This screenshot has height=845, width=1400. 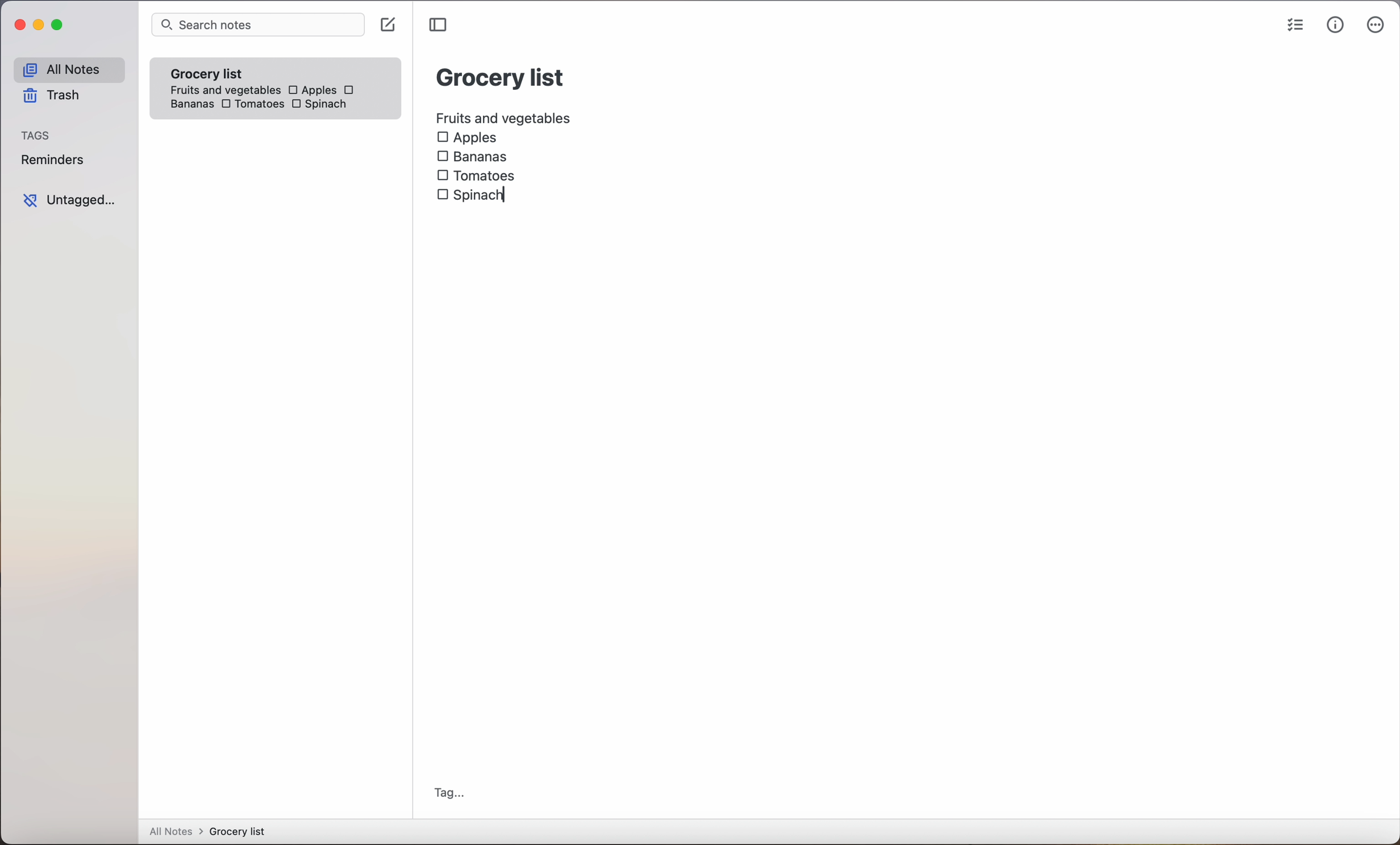 I want to click on tags, so click(x=37, y=136).